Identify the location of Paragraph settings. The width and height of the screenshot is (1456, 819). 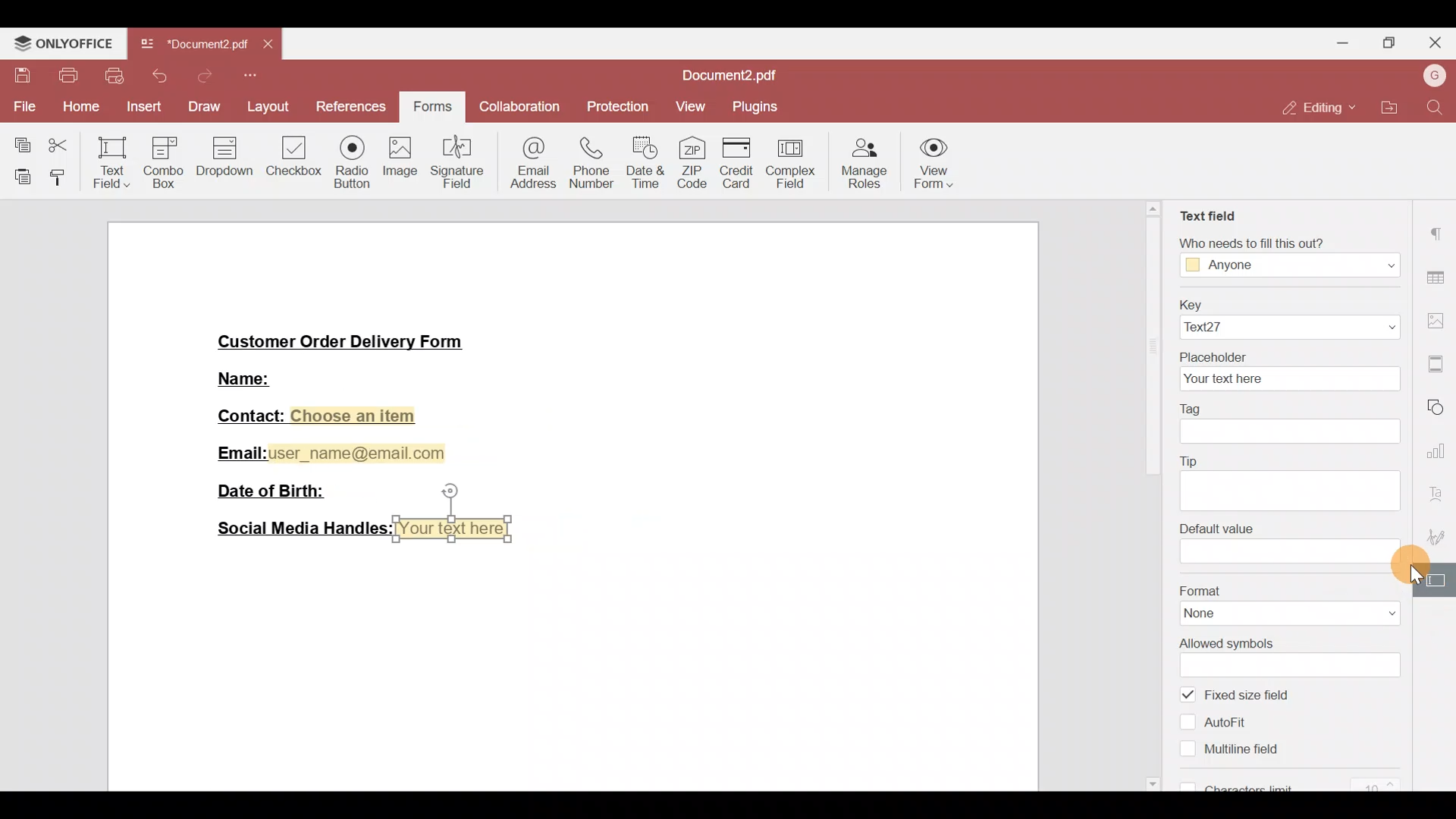
(1439, 236).